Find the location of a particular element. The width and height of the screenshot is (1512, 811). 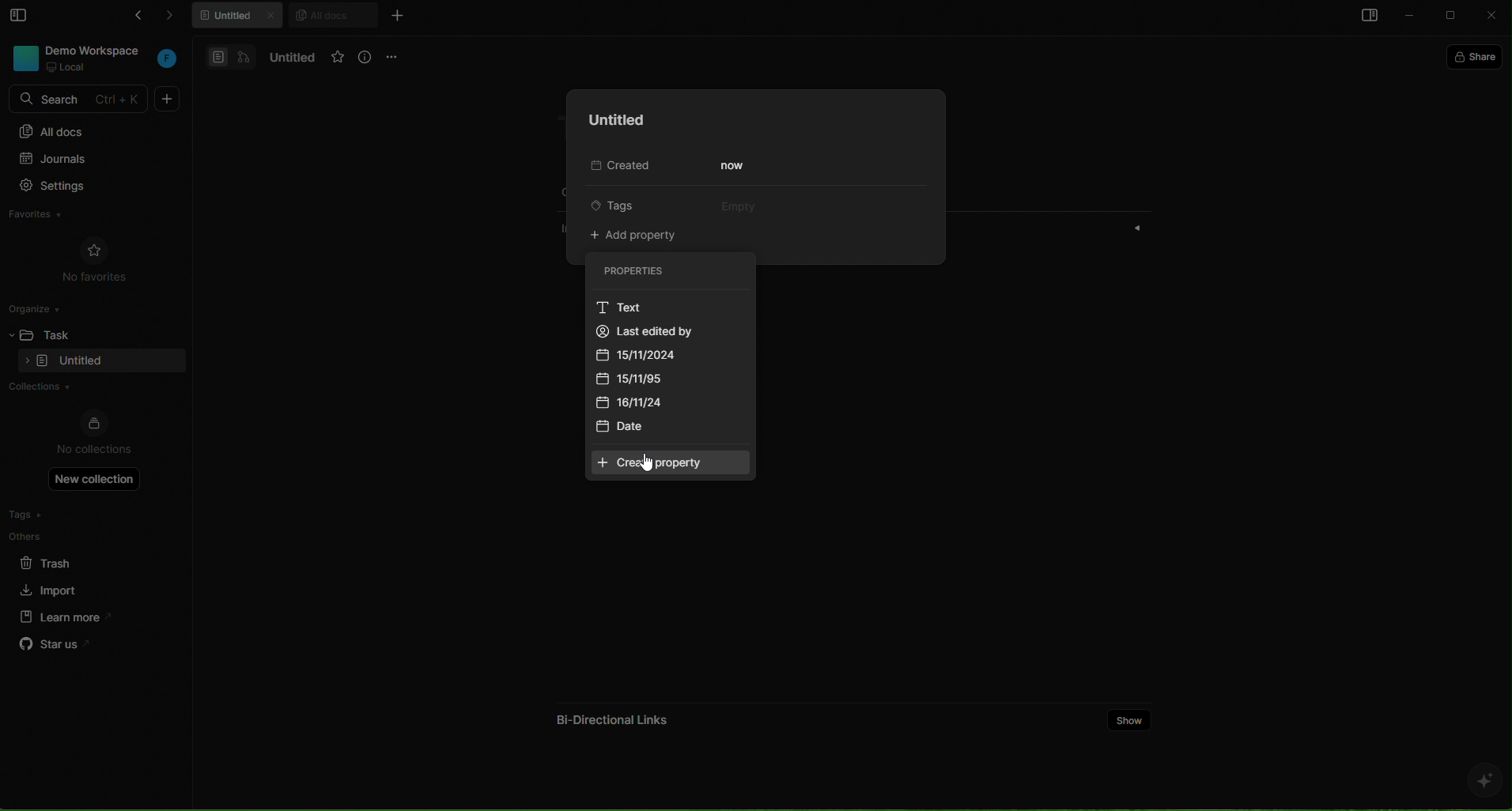

all docs is located at coordinates (332, 14).